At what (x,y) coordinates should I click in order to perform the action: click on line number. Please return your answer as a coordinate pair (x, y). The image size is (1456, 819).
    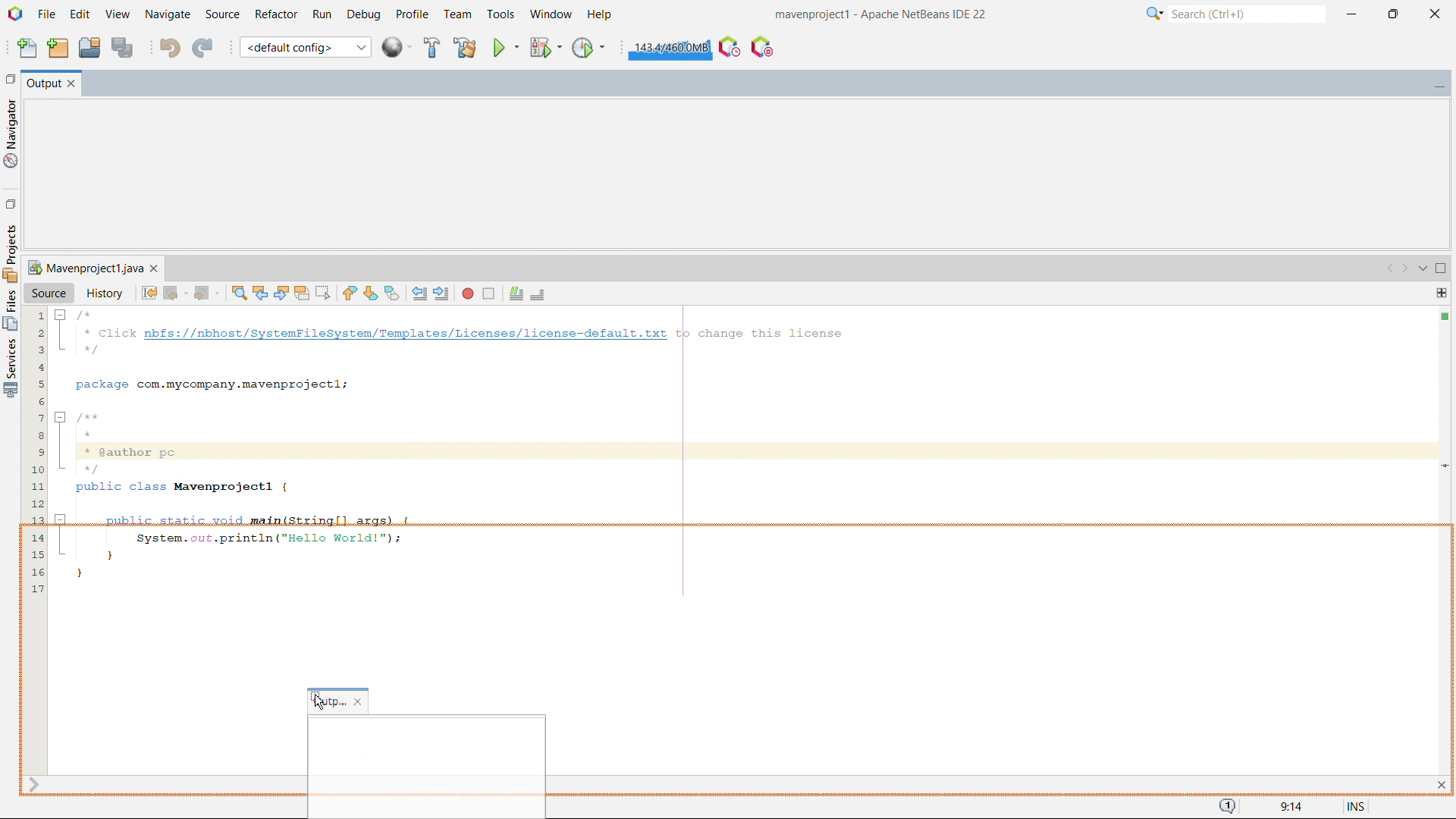
    Looking at the image, I should click on (33, 540).